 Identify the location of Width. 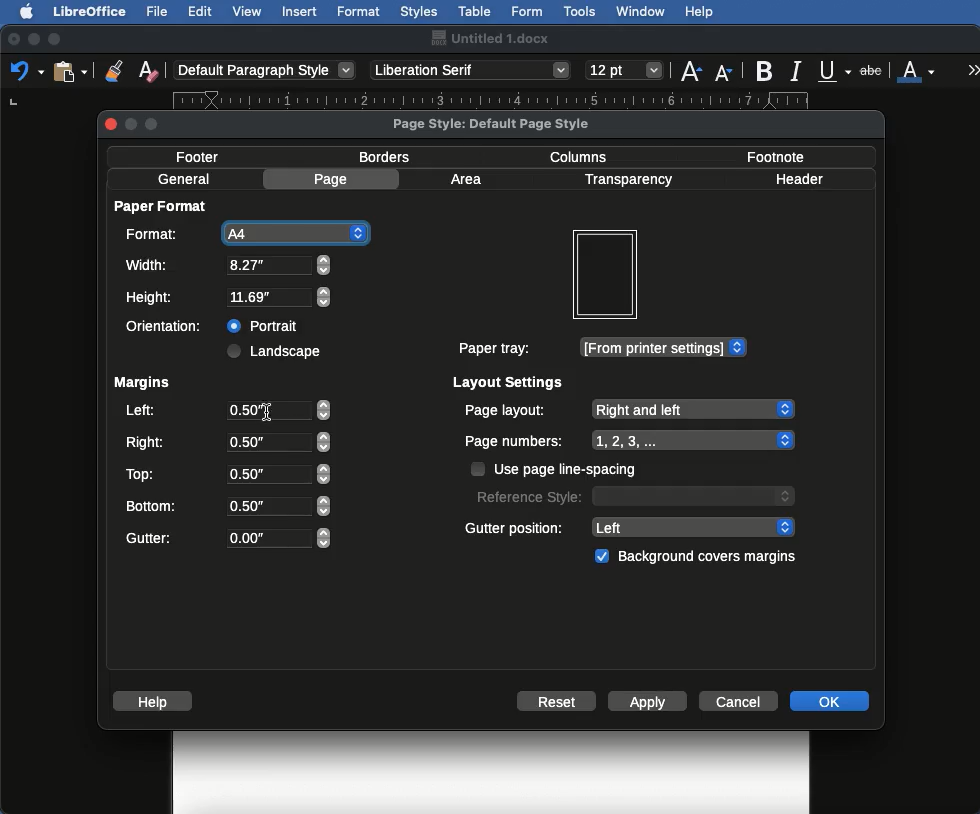
(227, 265).